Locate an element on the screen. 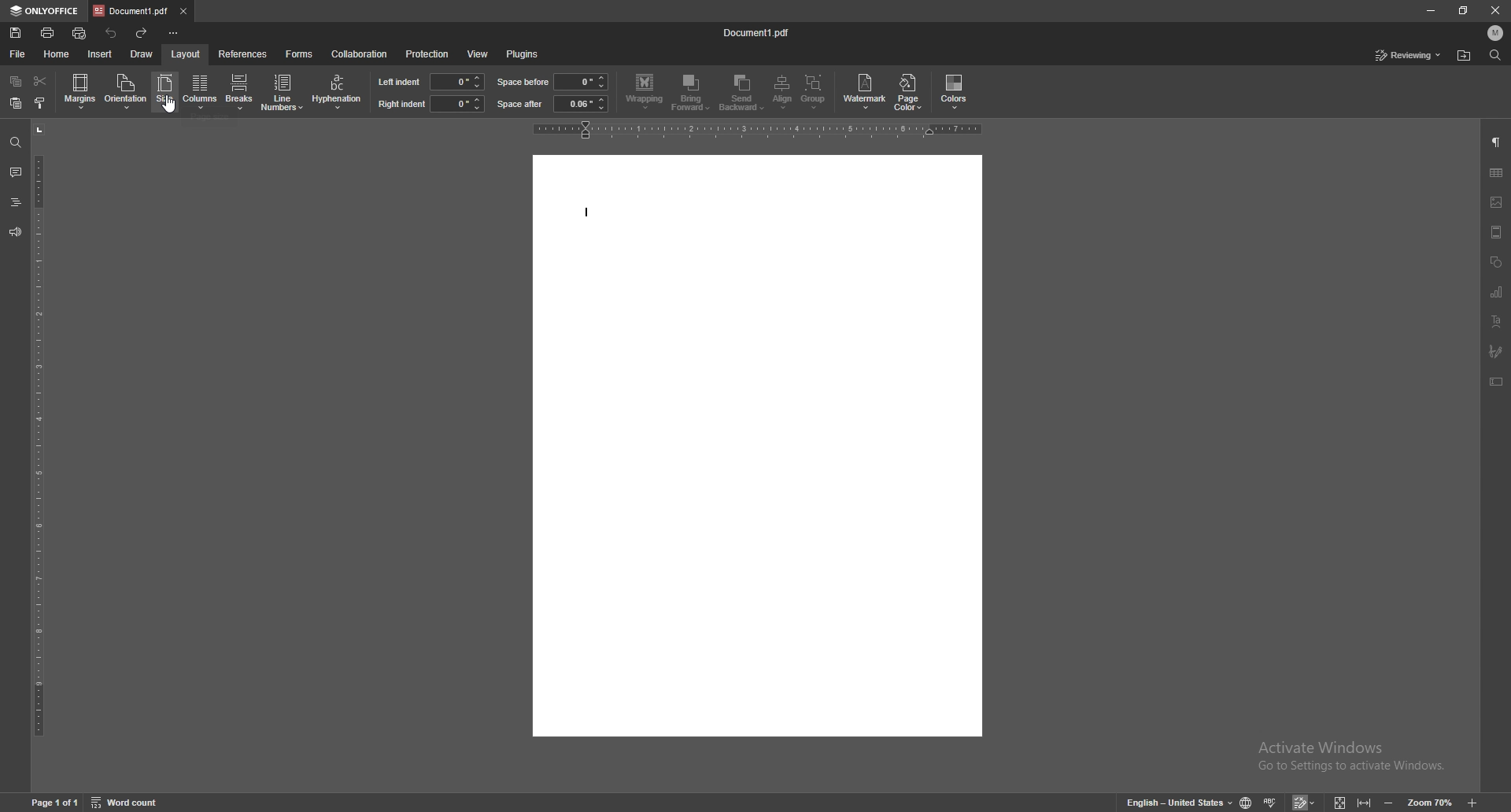  copy is located at coordinates (17, 81).